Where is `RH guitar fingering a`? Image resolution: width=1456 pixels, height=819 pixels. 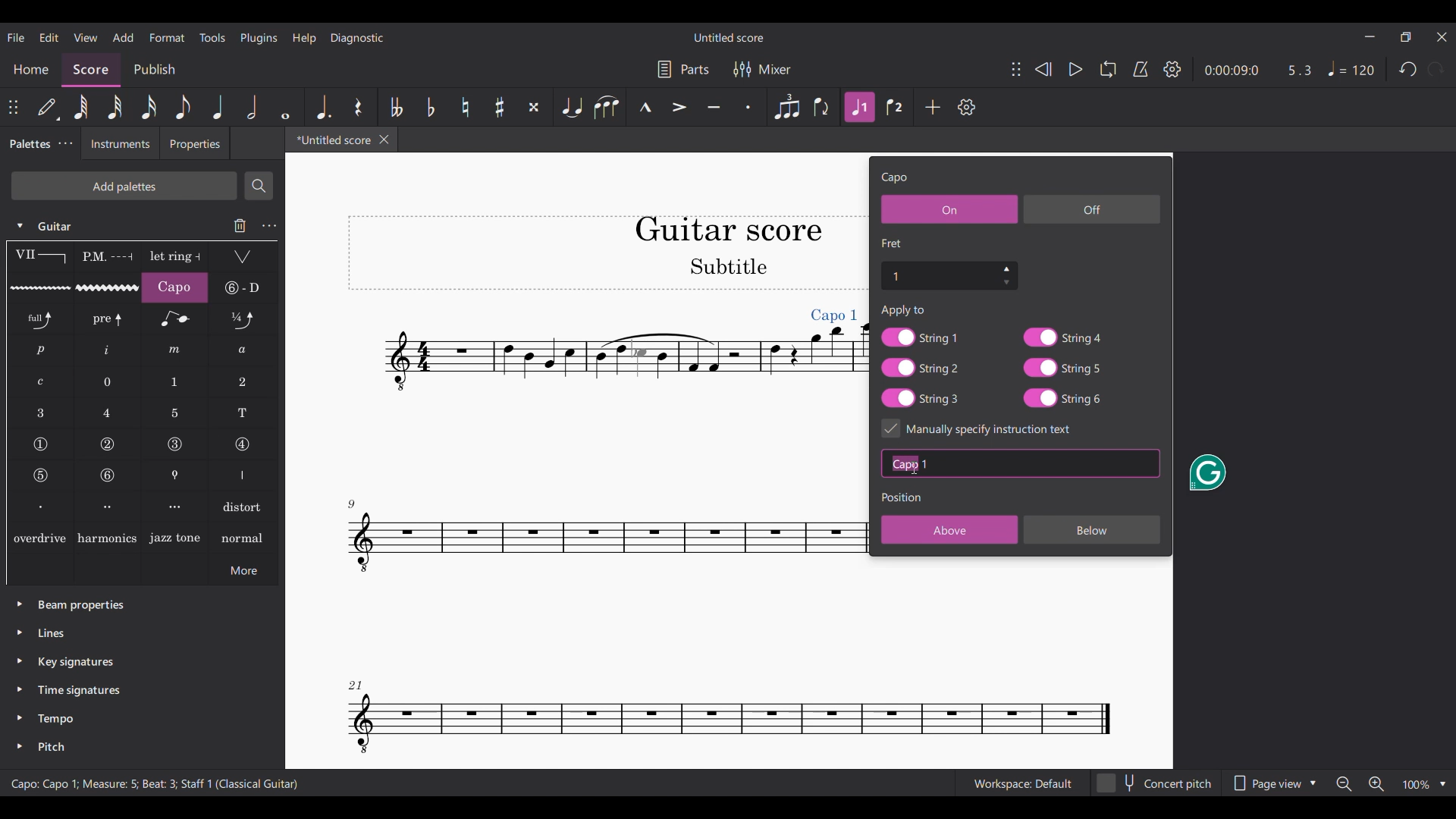 RH guitar fingering a is located at coordinates (243, 350).